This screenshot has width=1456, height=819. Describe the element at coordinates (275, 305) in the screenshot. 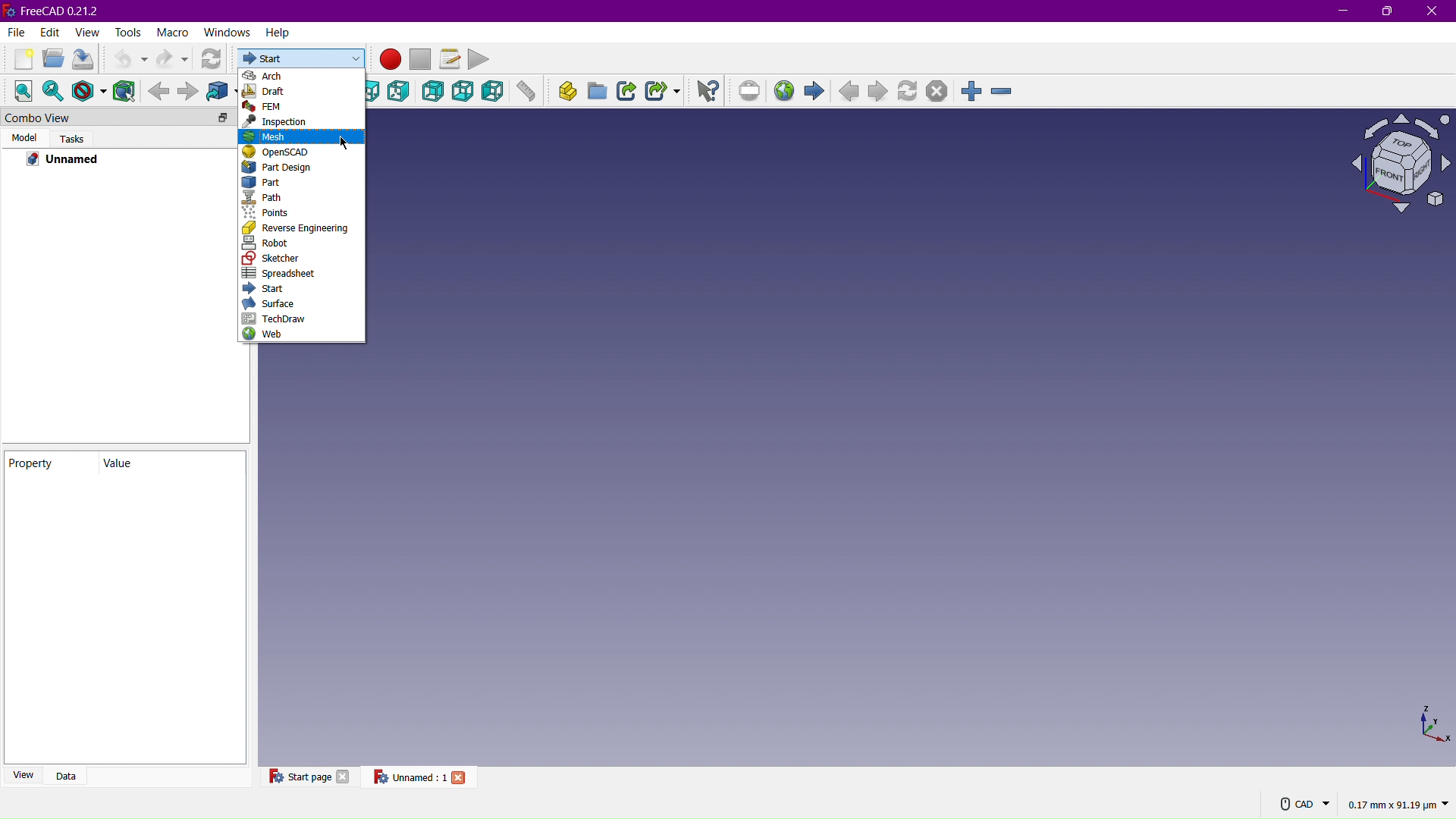

I see `Surface` at that location.